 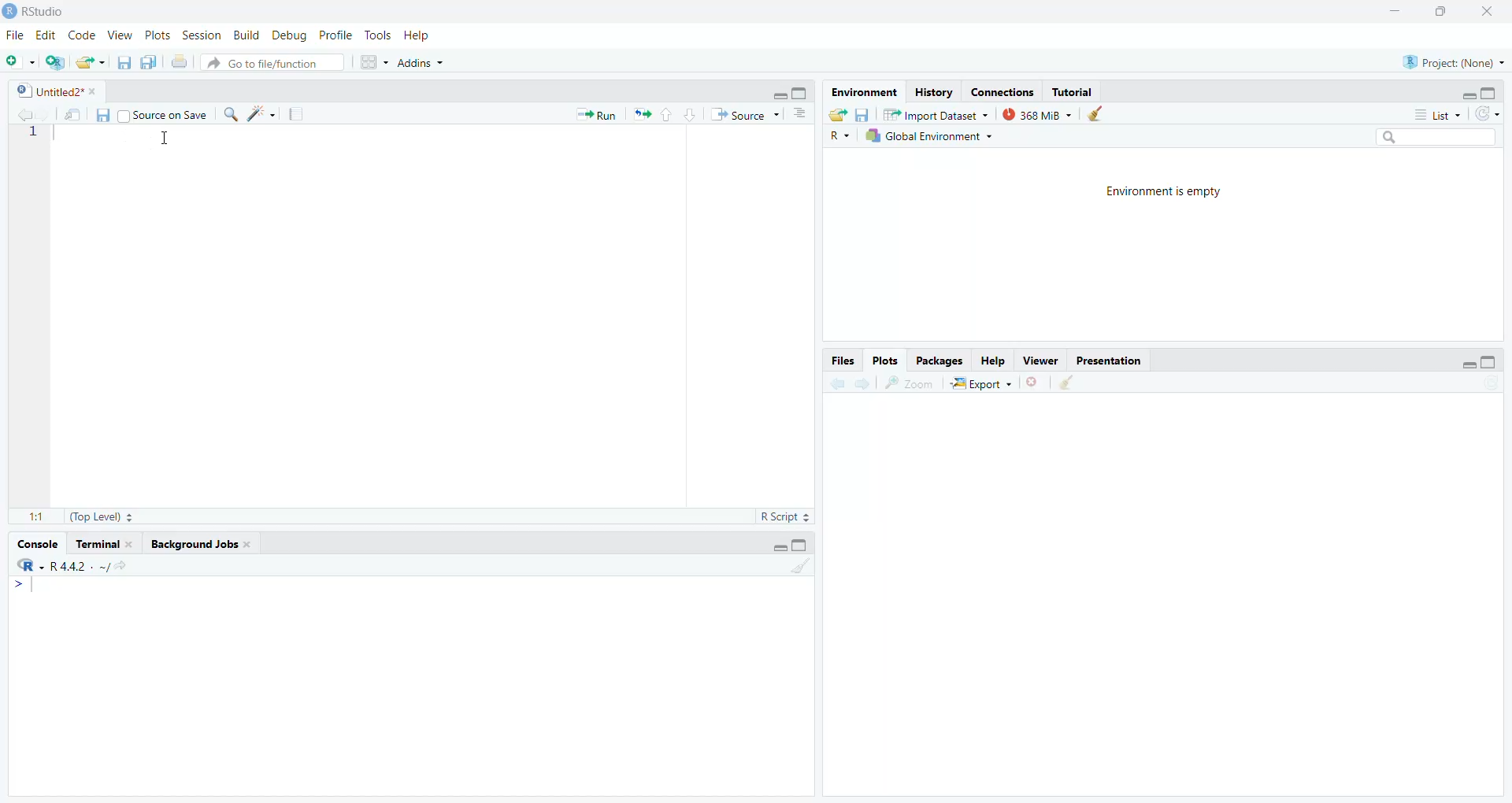 I want to click on Global Environment ~, so click(x=929, y=136).